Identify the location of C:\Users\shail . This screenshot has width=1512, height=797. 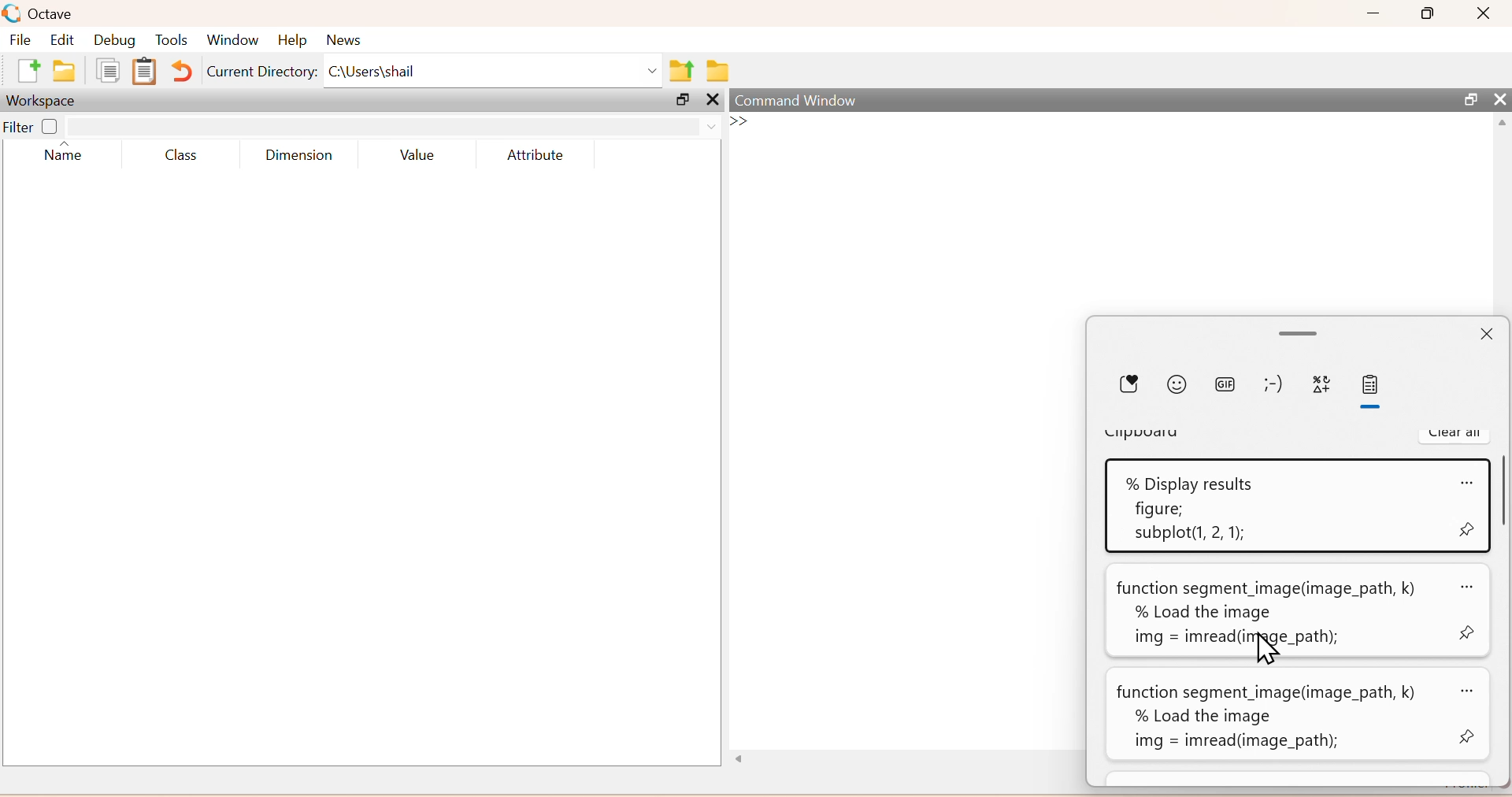
(495, 74).